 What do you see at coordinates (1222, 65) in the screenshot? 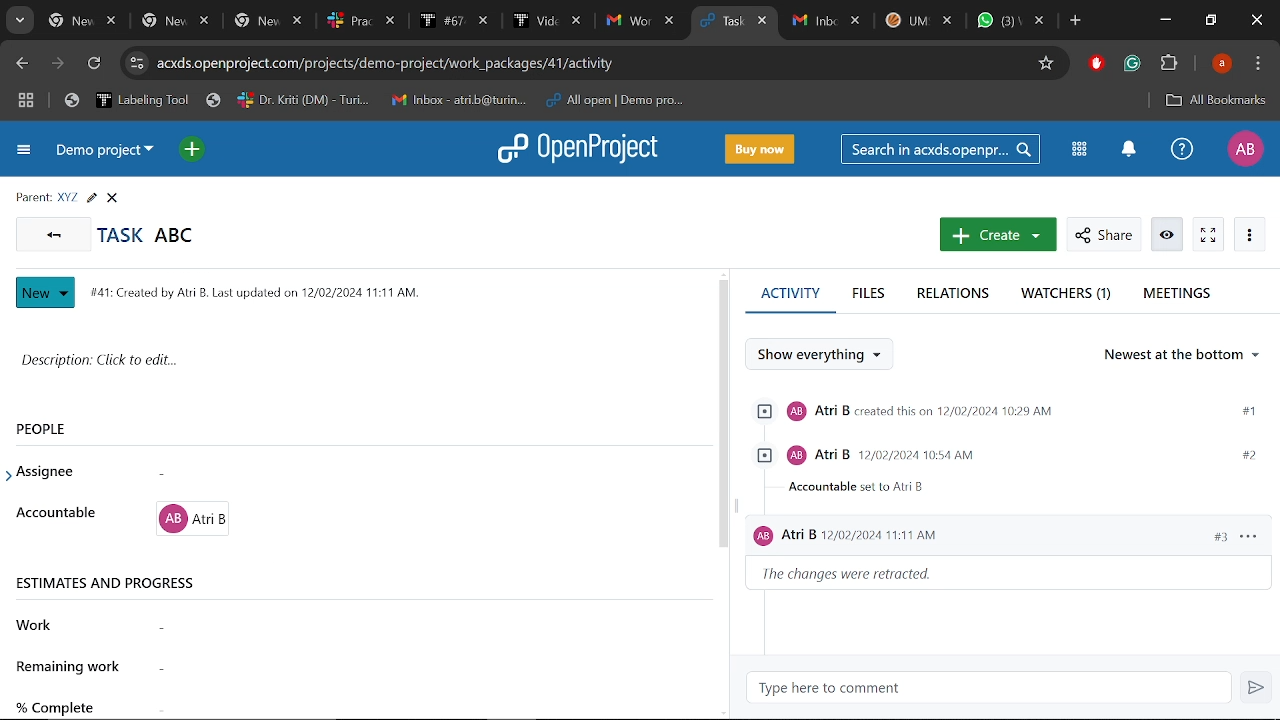
I see `Profile` at bounding box center [1222, 65].